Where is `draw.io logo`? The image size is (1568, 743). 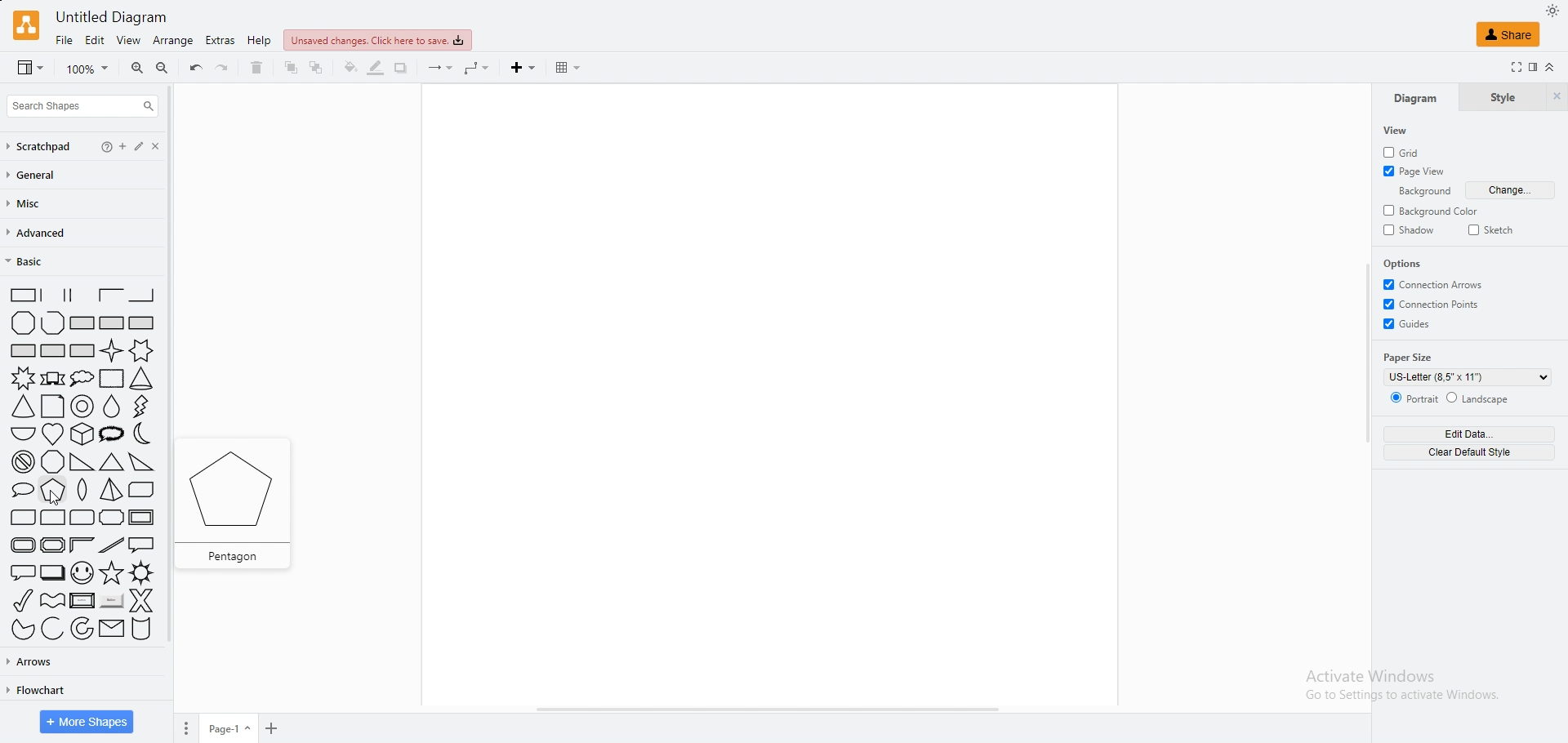
draw.io logo is located at coordinates (24, 24).